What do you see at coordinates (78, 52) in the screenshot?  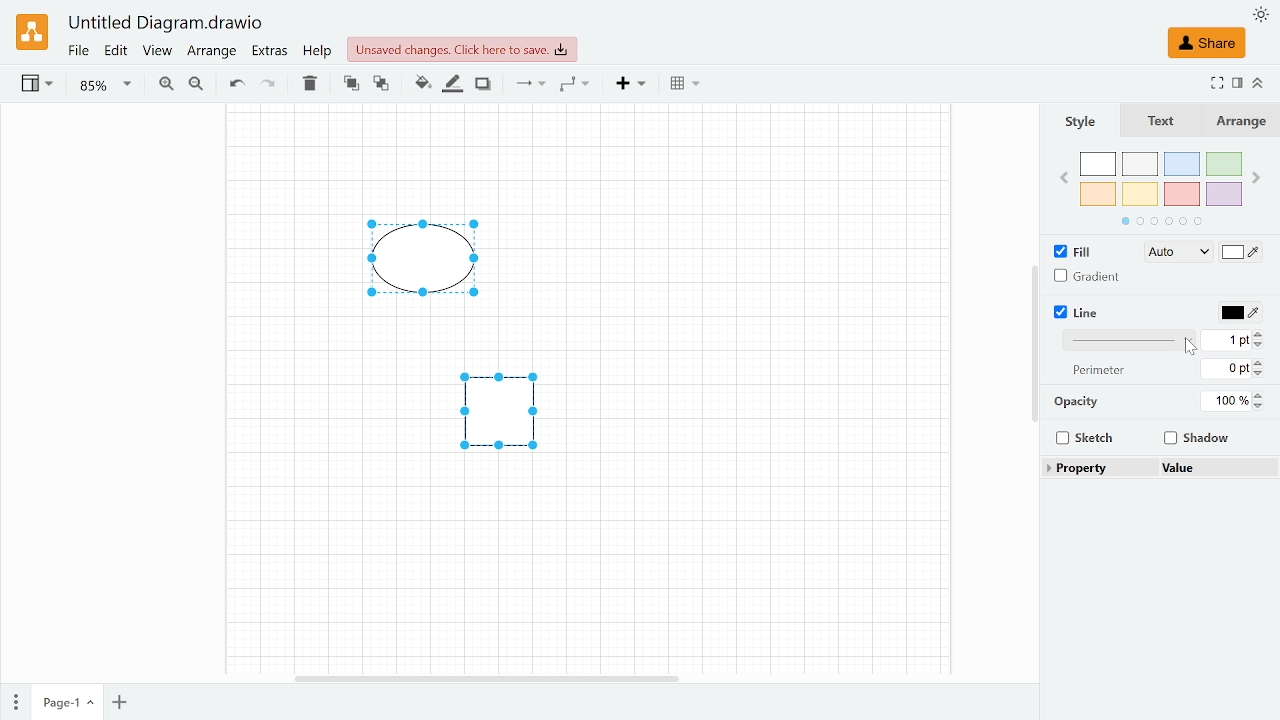 I see `Fie` at bounding box center [78, 52].